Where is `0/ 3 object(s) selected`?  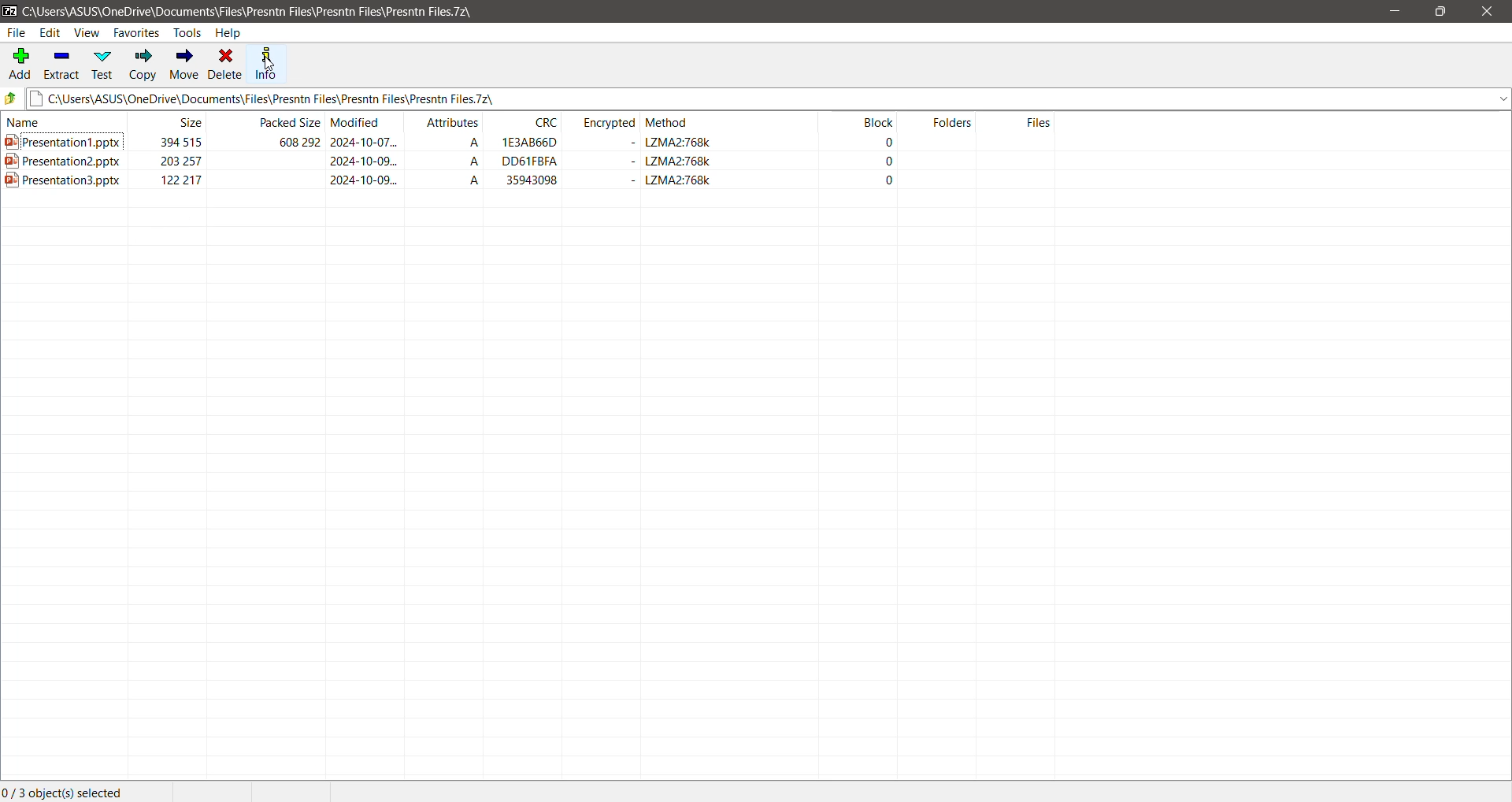 0/ 3 object(s) selected is located at coordinates (60, 791).